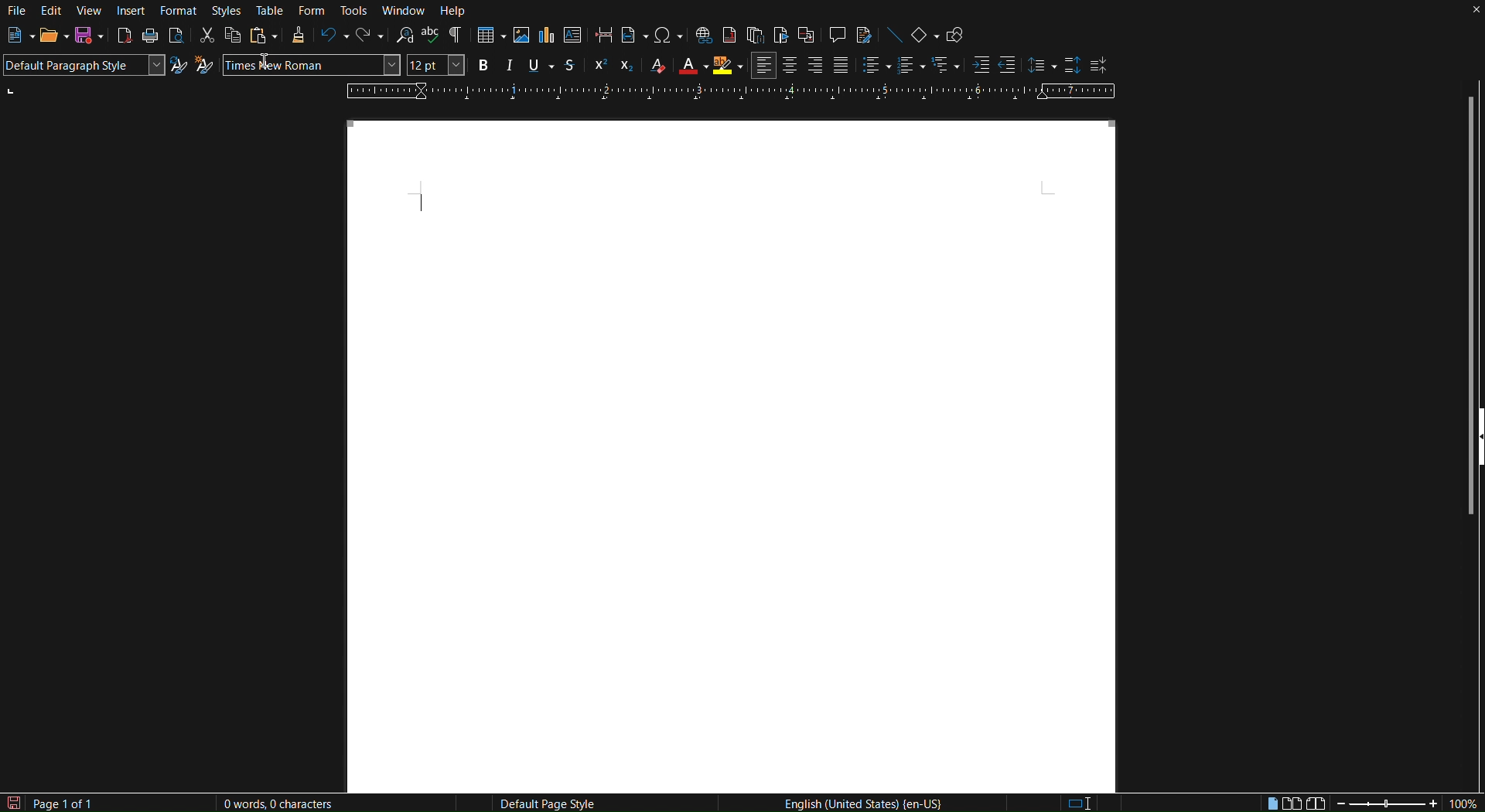 The width and height of the screenshot is (1485, 812). What do you see at coordinates (1466, 802) in the screenshot?
I see `Zoom factor` at bounding box center [1466, 802].